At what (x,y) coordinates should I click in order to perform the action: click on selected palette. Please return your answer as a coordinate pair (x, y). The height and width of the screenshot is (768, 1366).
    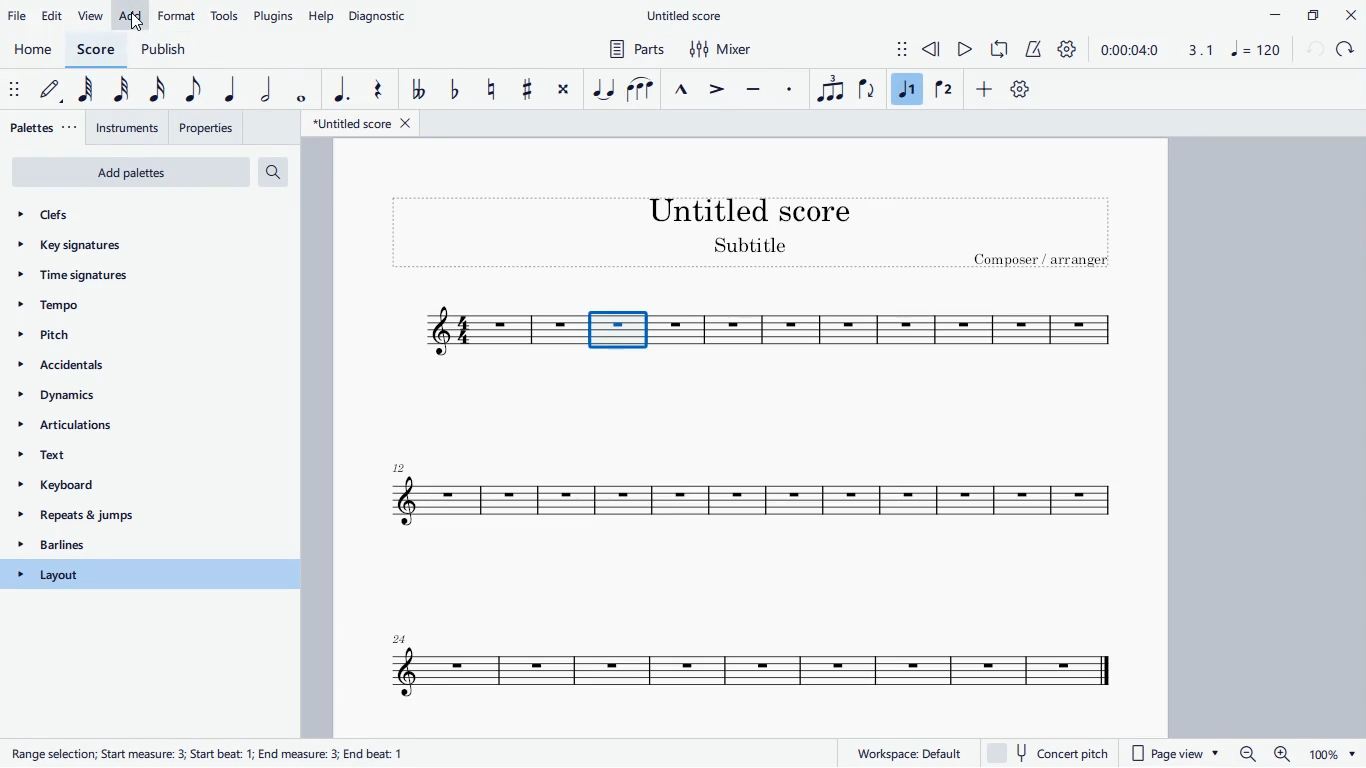
    Looking at the image, I should click on (151, 574).